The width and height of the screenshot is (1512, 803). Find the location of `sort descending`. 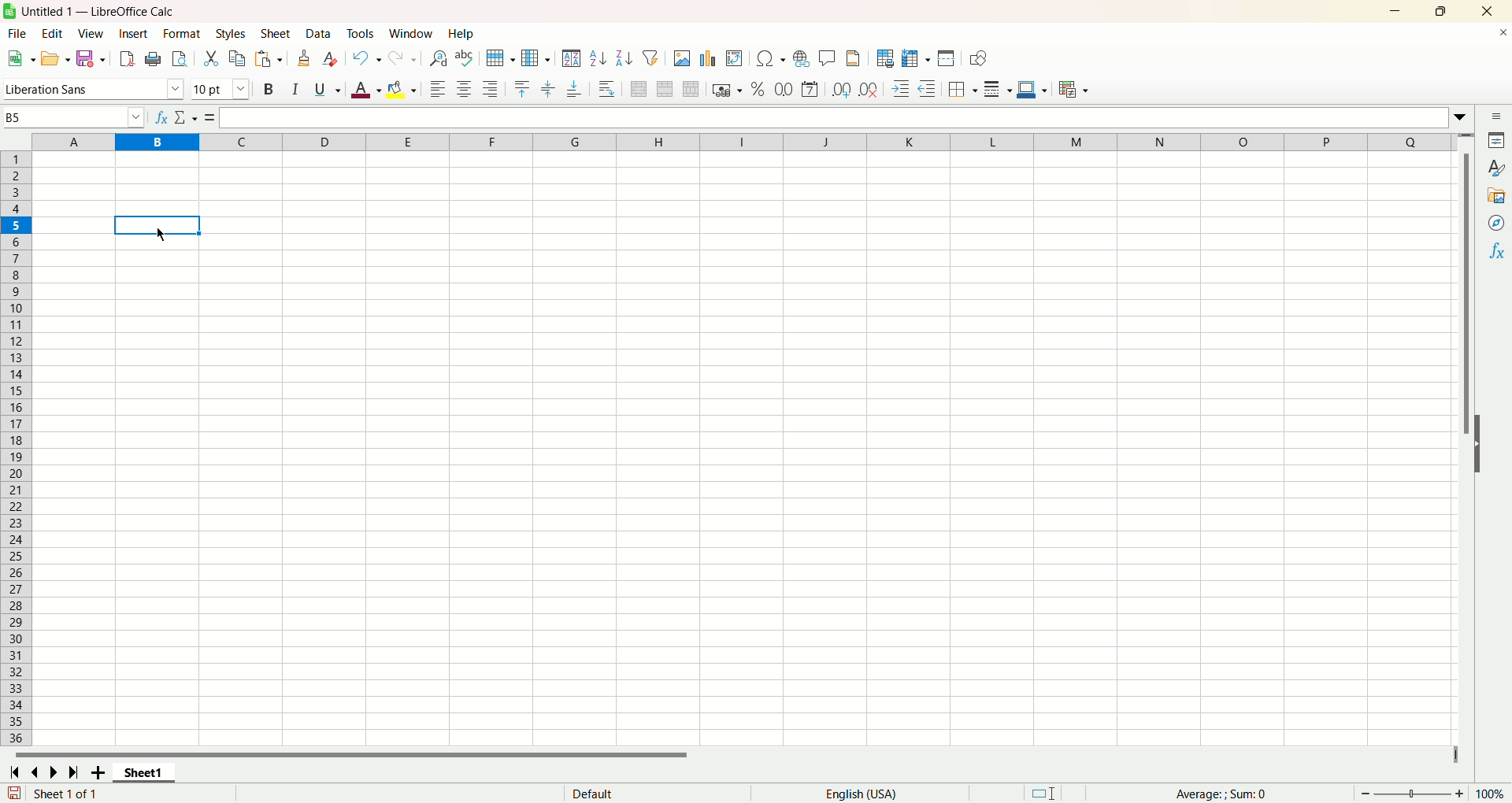

sort descending is located at coordinates (623, 57).